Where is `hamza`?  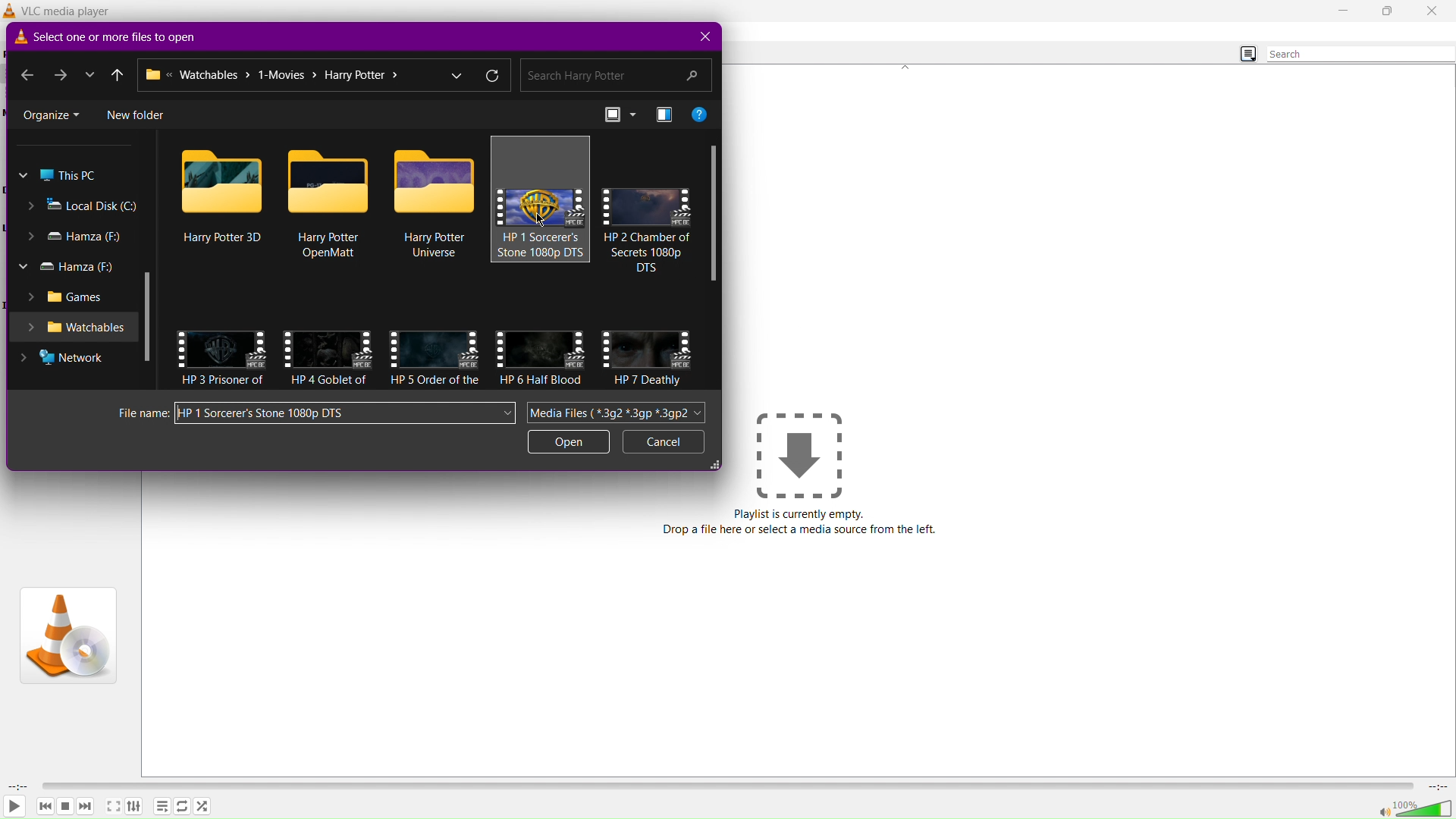 hamza is located at coordinates (67, 266).